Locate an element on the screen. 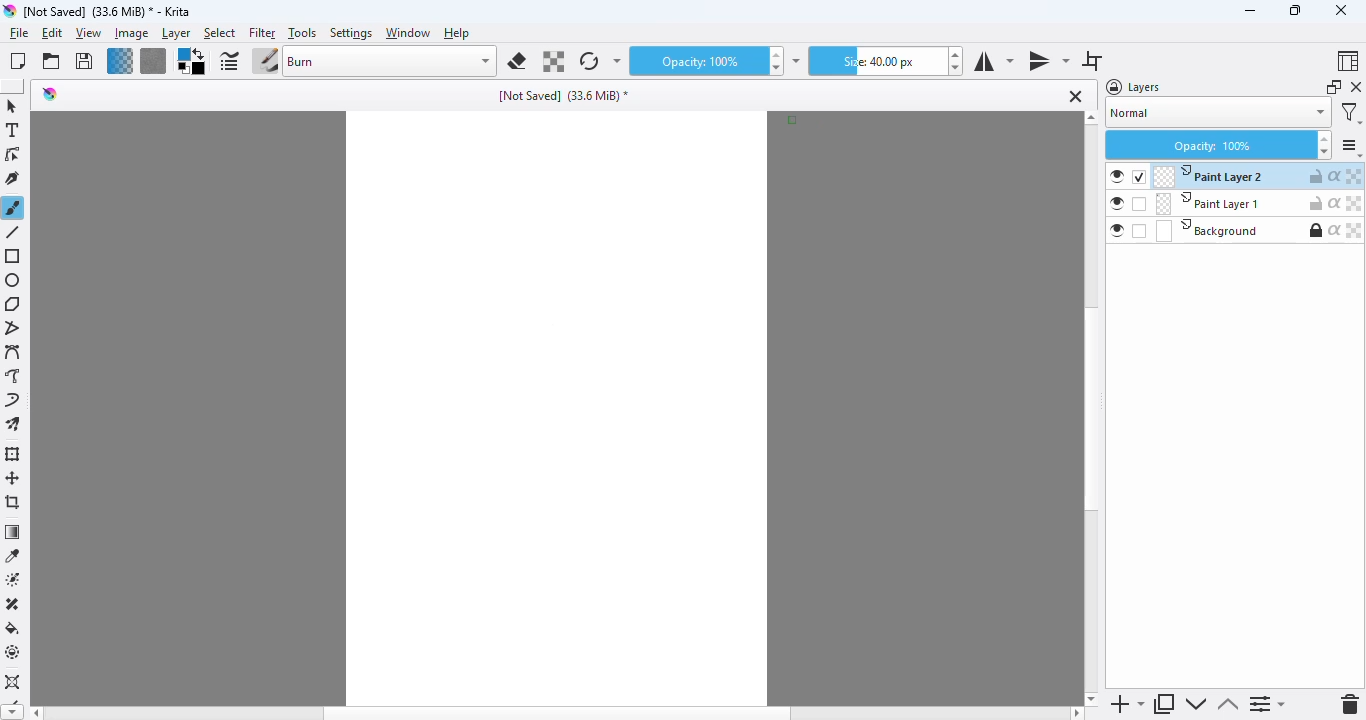 The height and width of the screenshot is (720, 1366). layers is located at coordinates (1135, 87).